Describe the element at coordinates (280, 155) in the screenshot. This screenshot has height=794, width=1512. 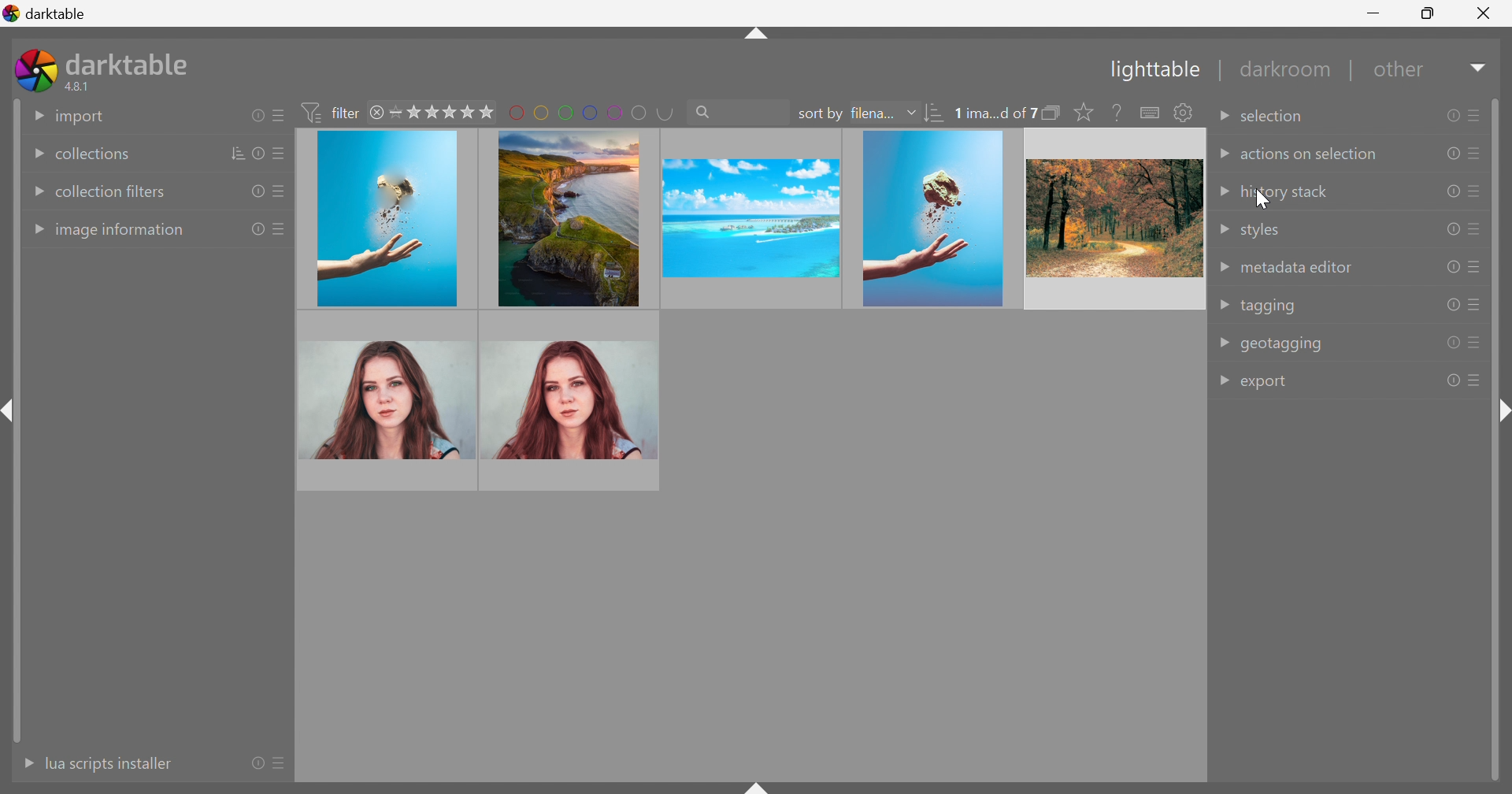
I see `presets` at that location.